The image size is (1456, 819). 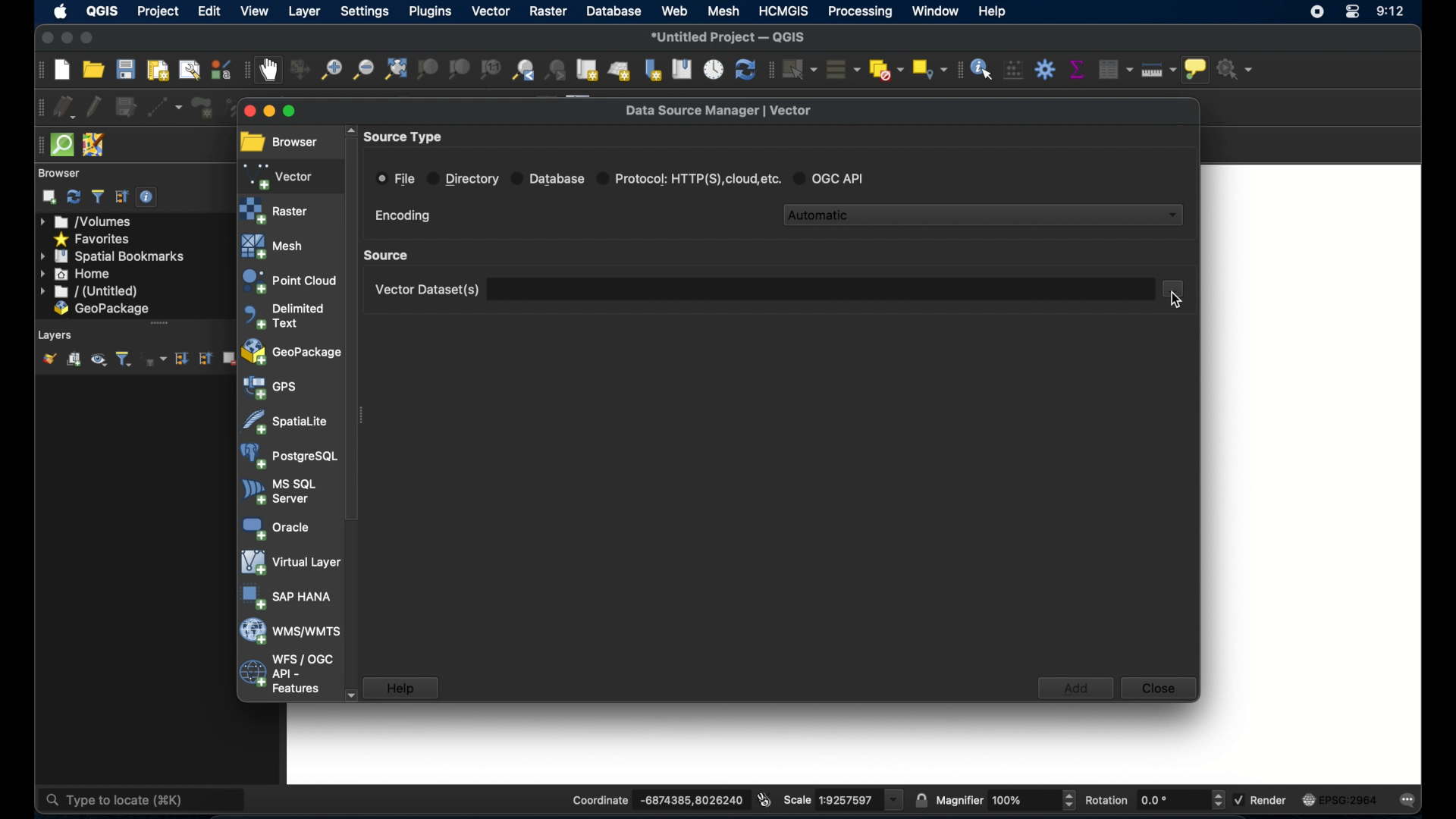 I want to click on lock scale, so click(x=918, y=799).